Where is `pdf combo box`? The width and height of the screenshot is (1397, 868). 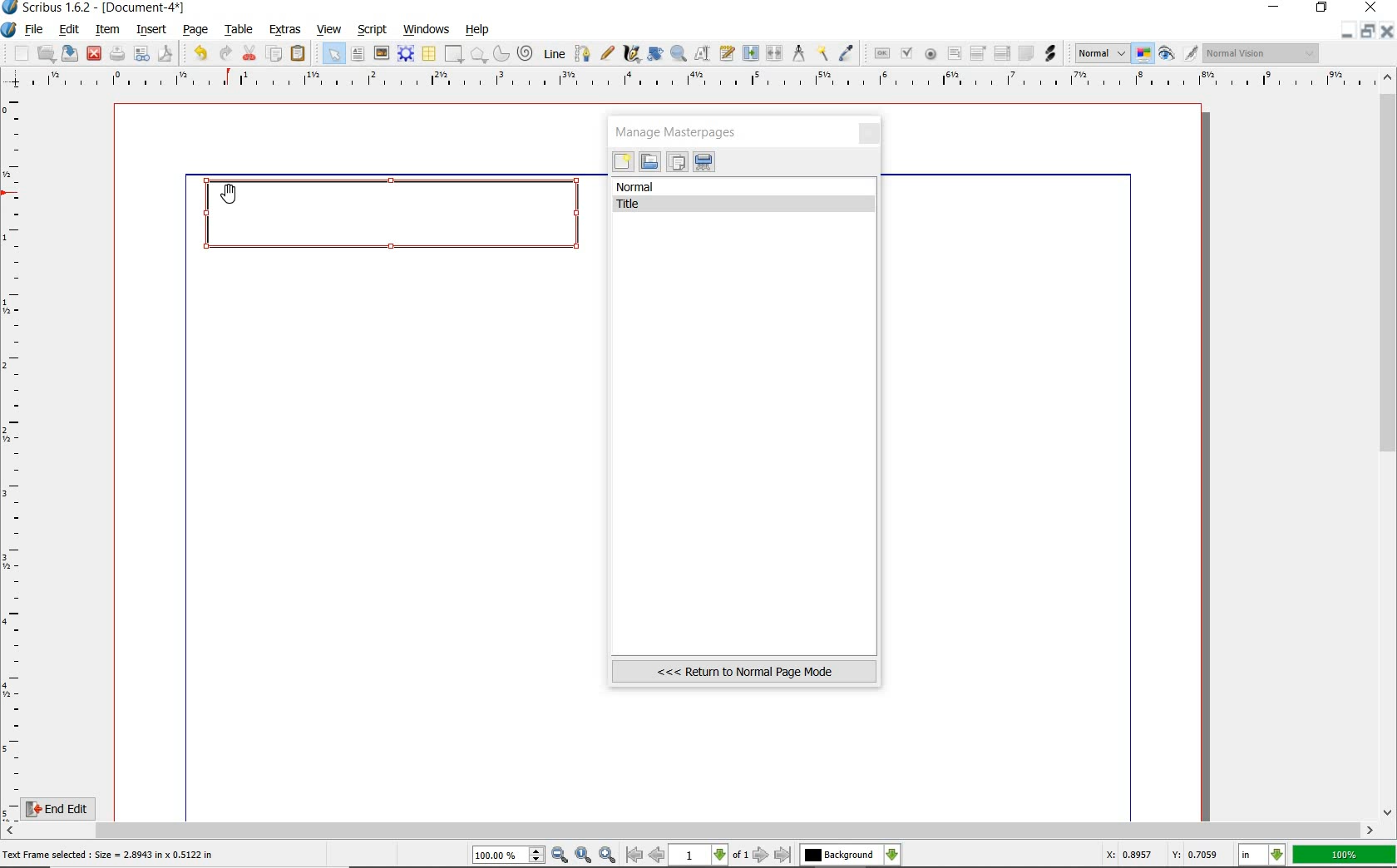 pdf combo box is located at coordinates (979, 52).